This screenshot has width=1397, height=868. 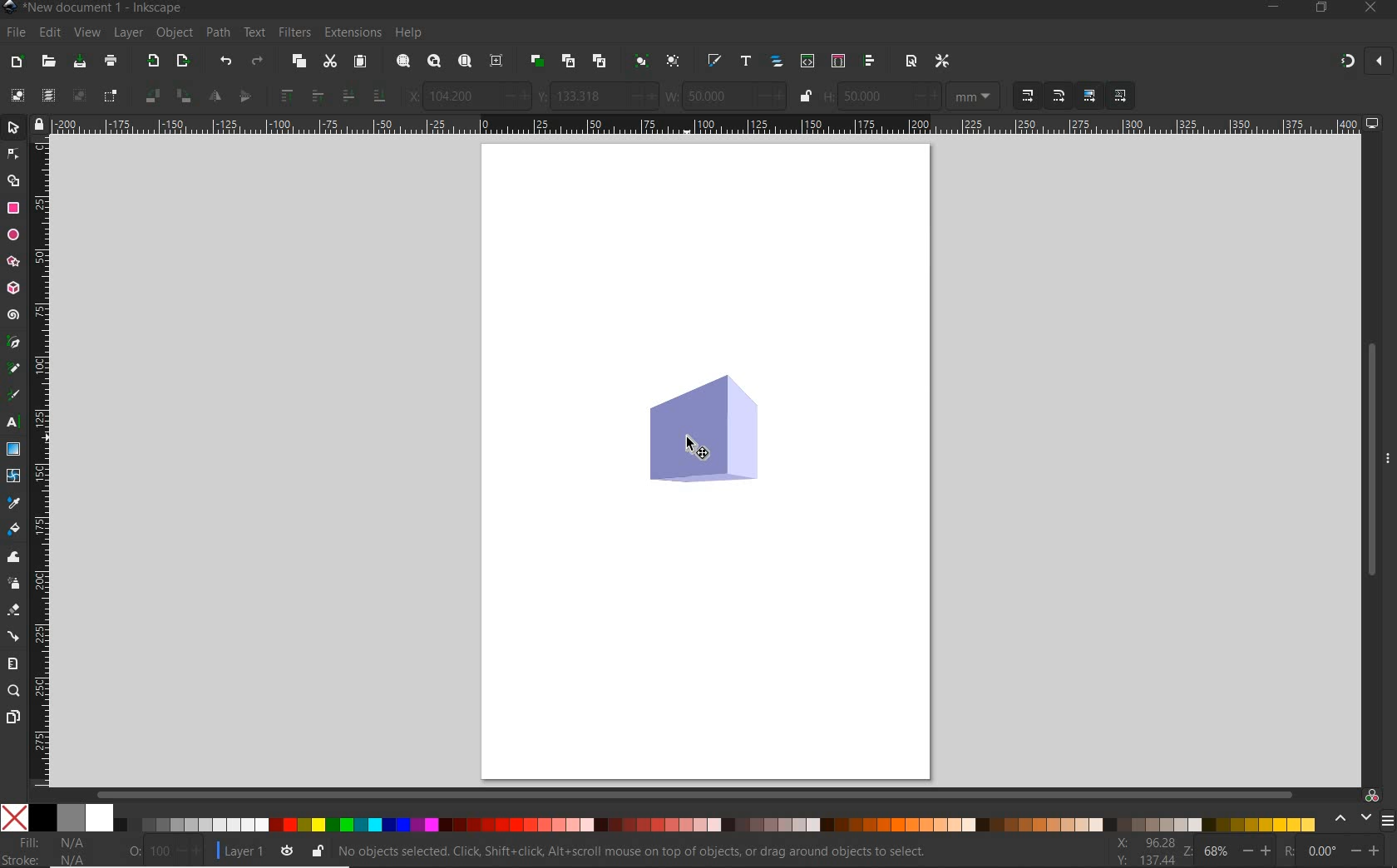 What do you see at coordinates (806, 96) in the screenshot?
I see `lock/unlock` at bounding box center [806, 96].